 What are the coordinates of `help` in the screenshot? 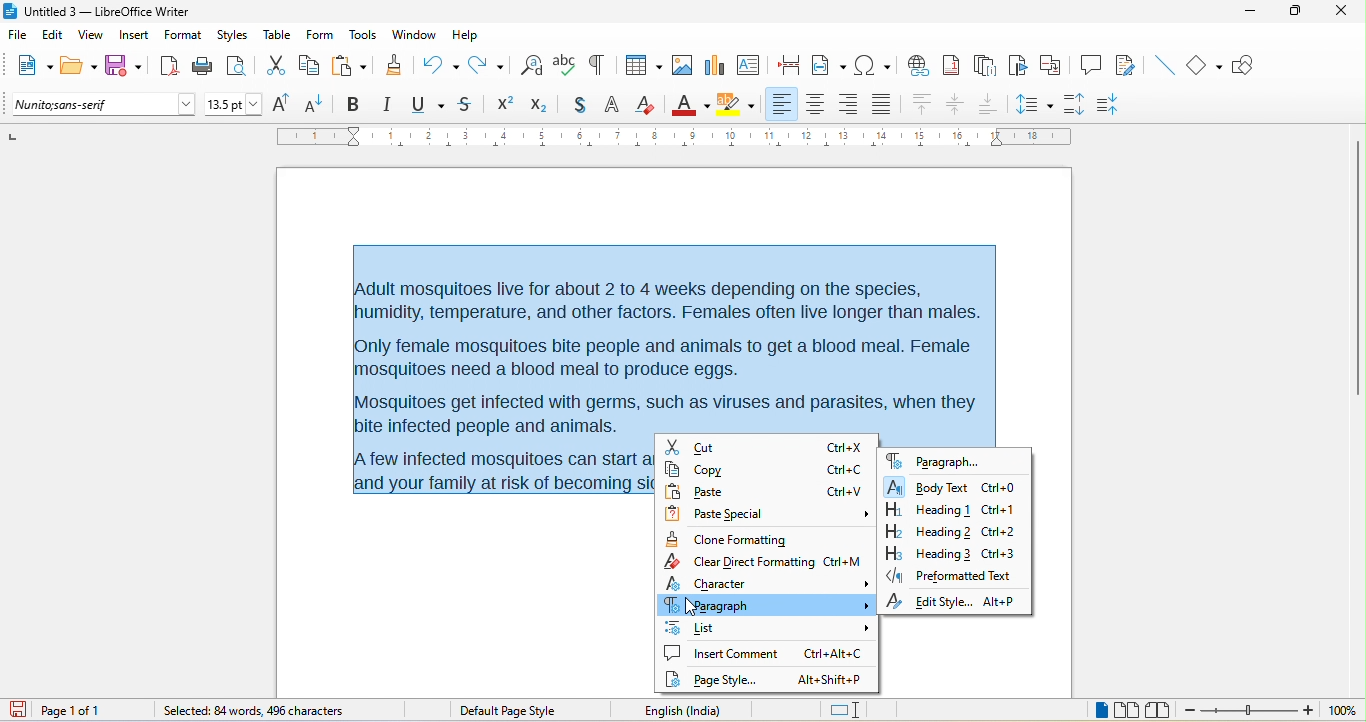 It's located at (464, 34).